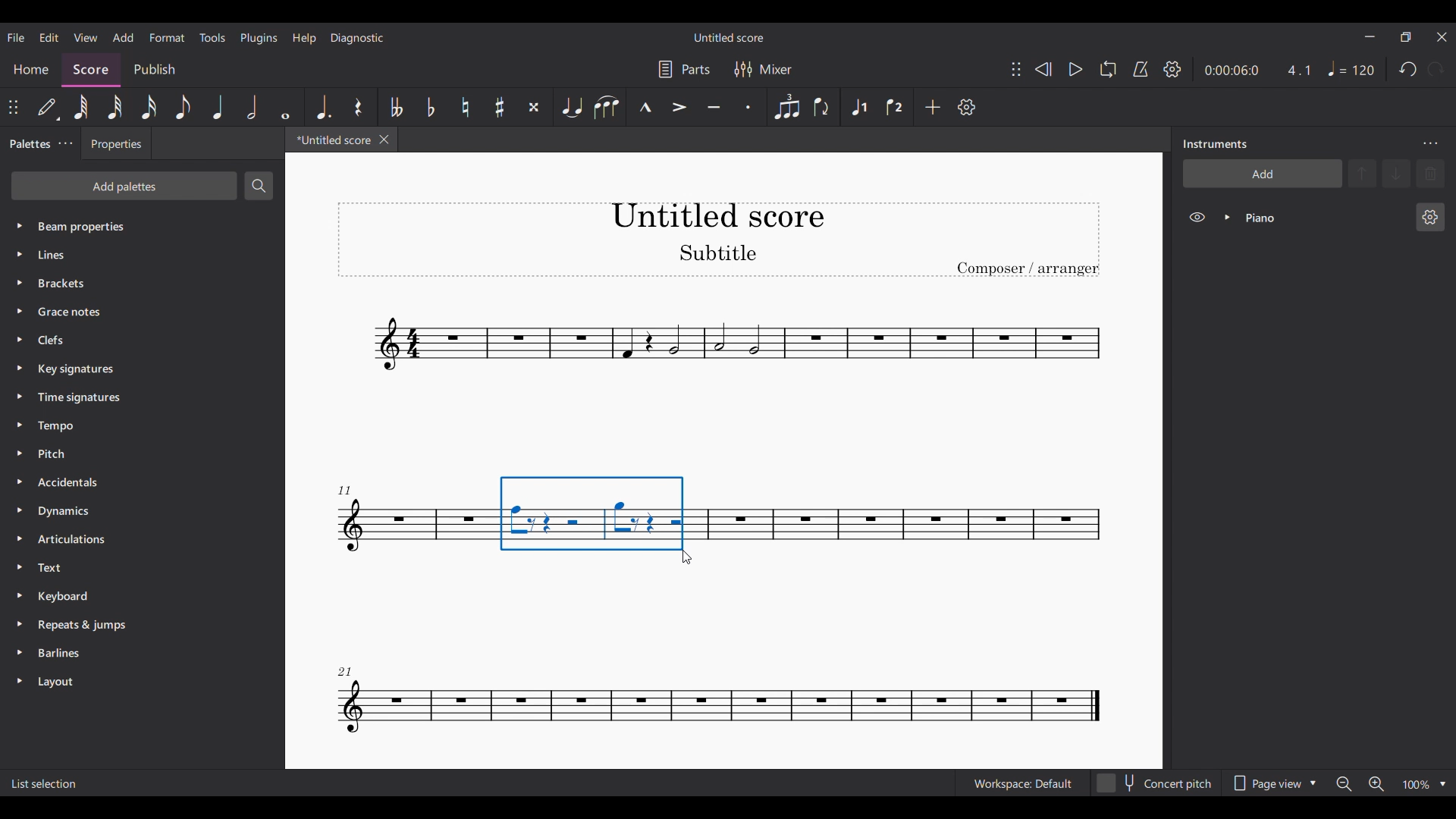 The image size is (1456, 819). I want to click on Current score, so click(723, 372).